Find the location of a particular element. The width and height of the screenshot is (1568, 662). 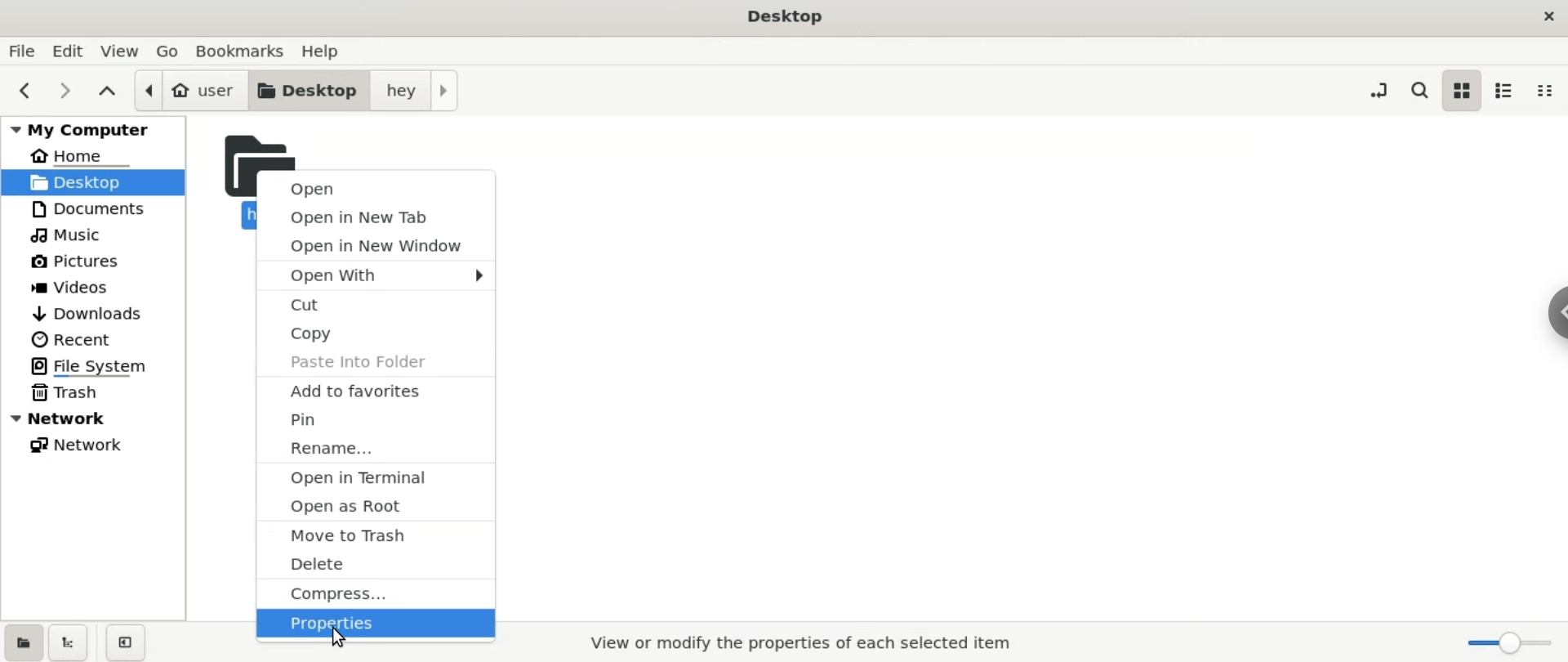

help is located at coordinates (330, 54).